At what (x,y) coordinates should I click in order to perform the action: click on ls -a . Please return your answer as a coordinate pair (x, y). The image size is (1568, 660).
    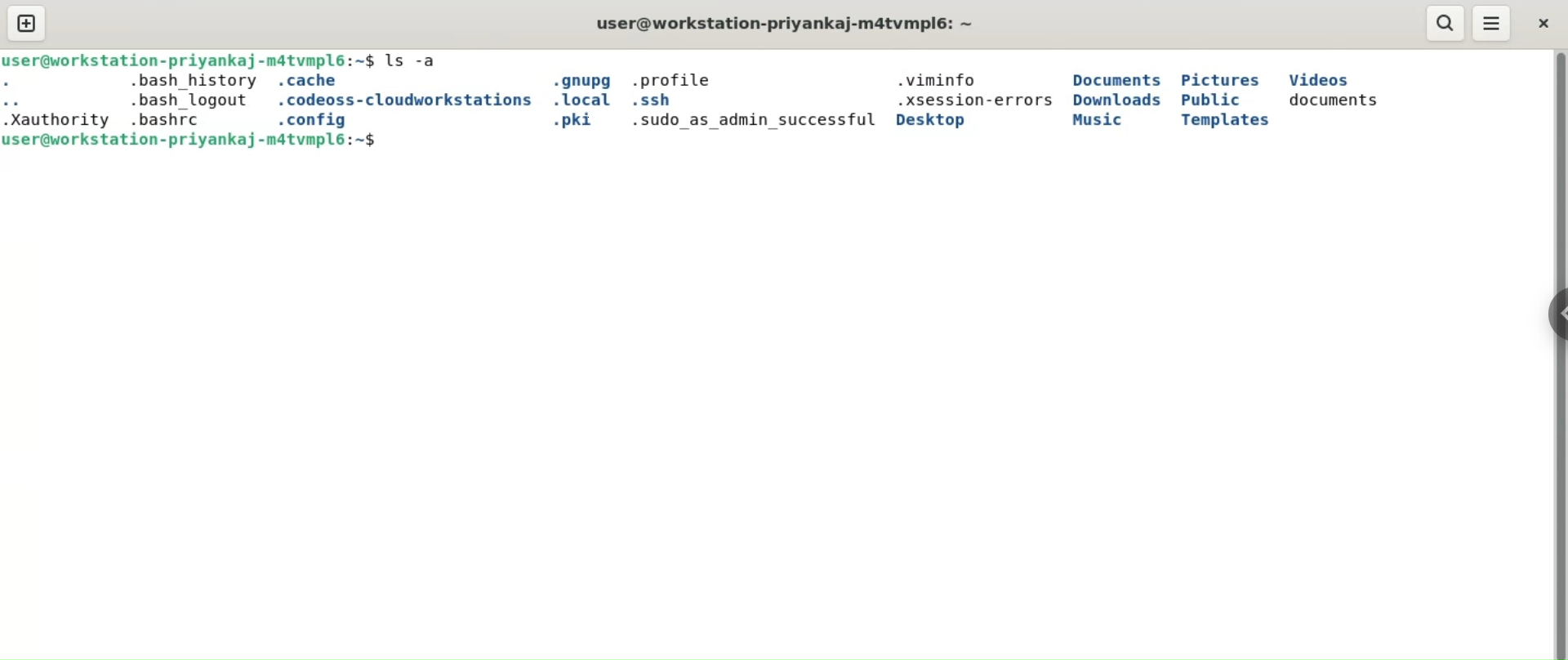
    Looking at the image, I should click on (422, 56).